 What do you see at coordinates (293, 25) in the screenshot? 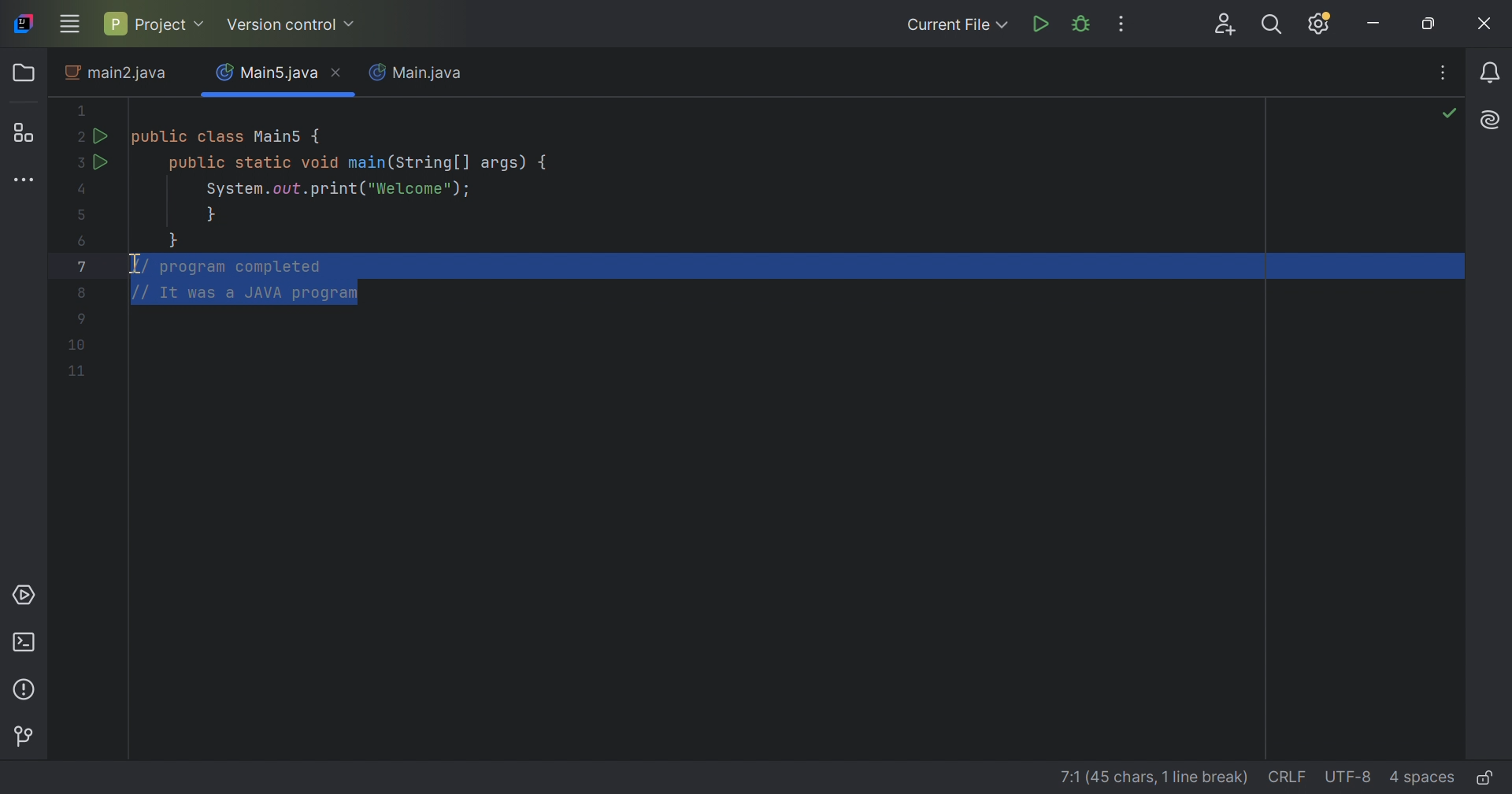
I see `Version control` at bounding box center [293, 25].